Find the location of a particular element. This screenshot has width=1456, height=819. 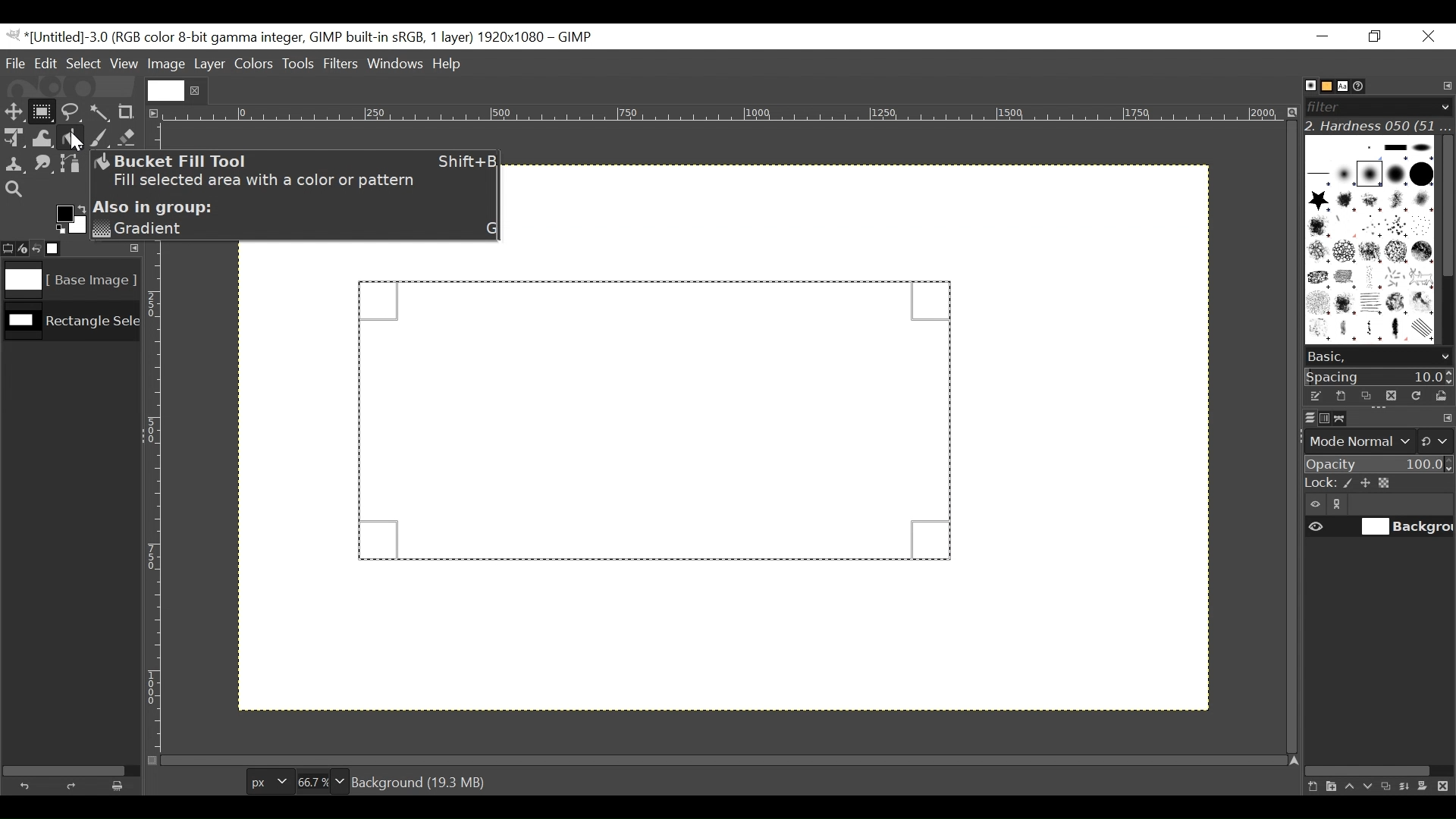

Tools is located at coordinates (300, 65).